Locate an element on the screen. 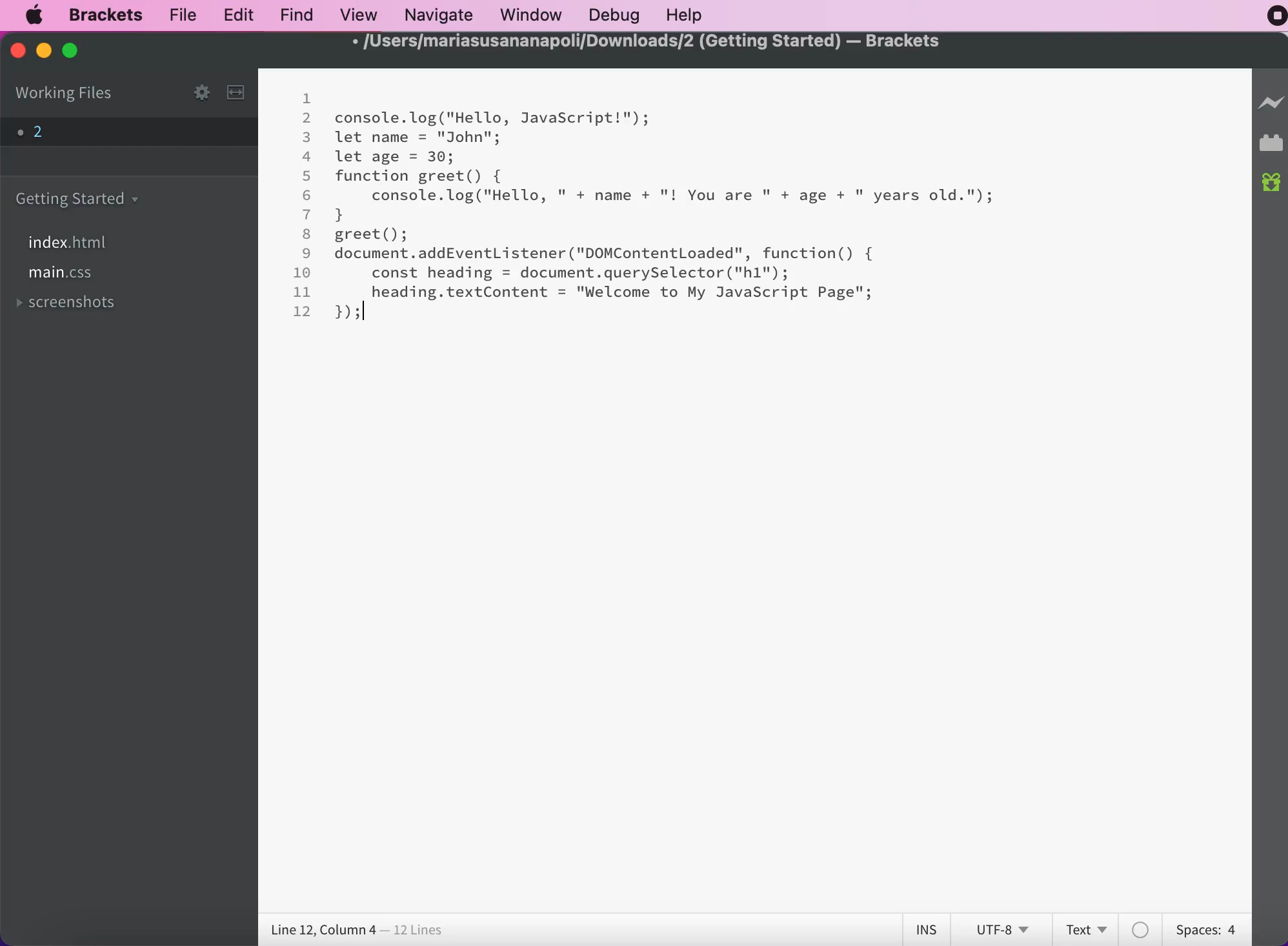  5 is located at coordinates (307, 176).